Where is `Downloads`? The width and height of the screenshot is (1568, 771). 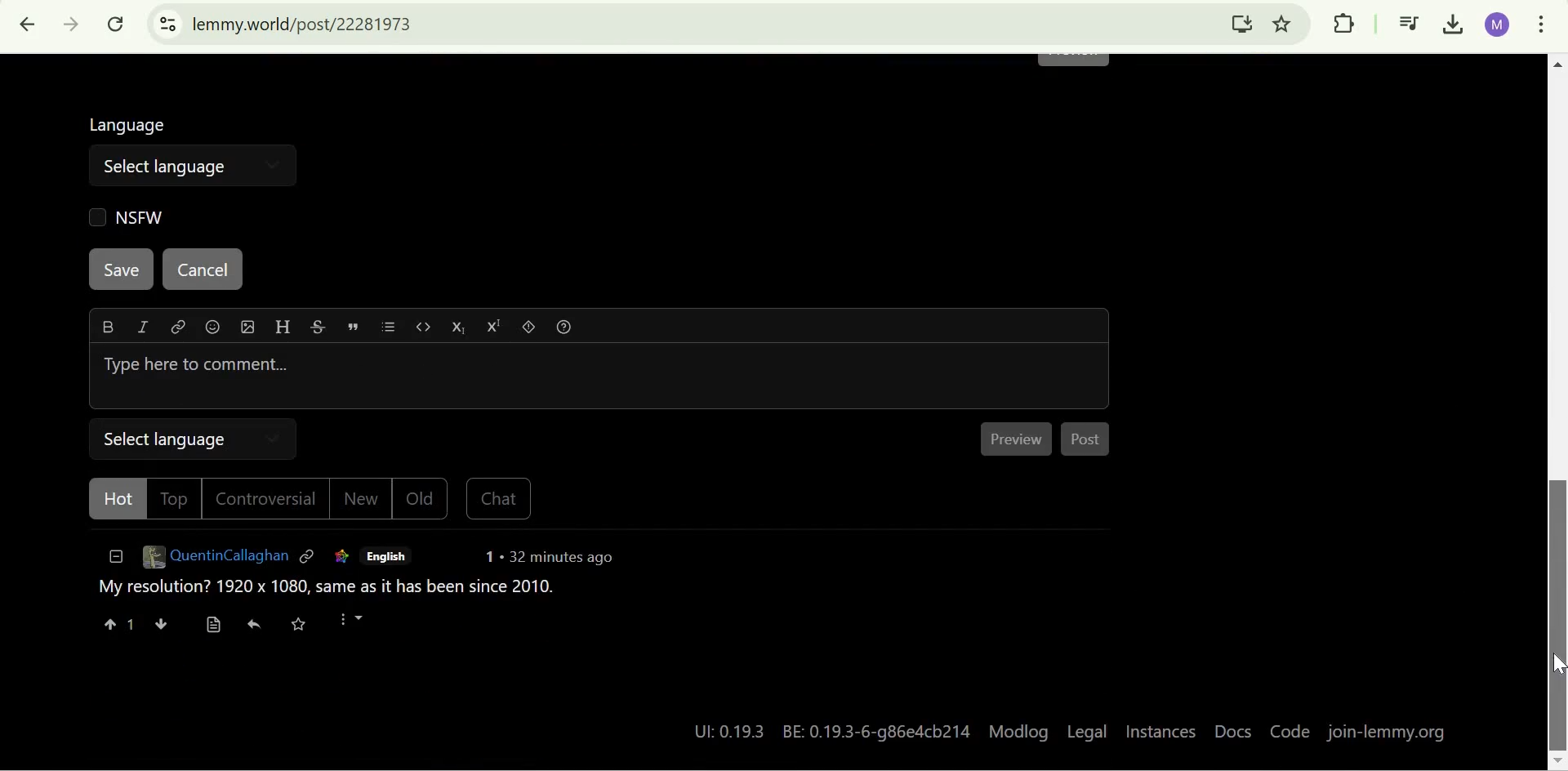 Downloads is located at coordinates (1455, 25).